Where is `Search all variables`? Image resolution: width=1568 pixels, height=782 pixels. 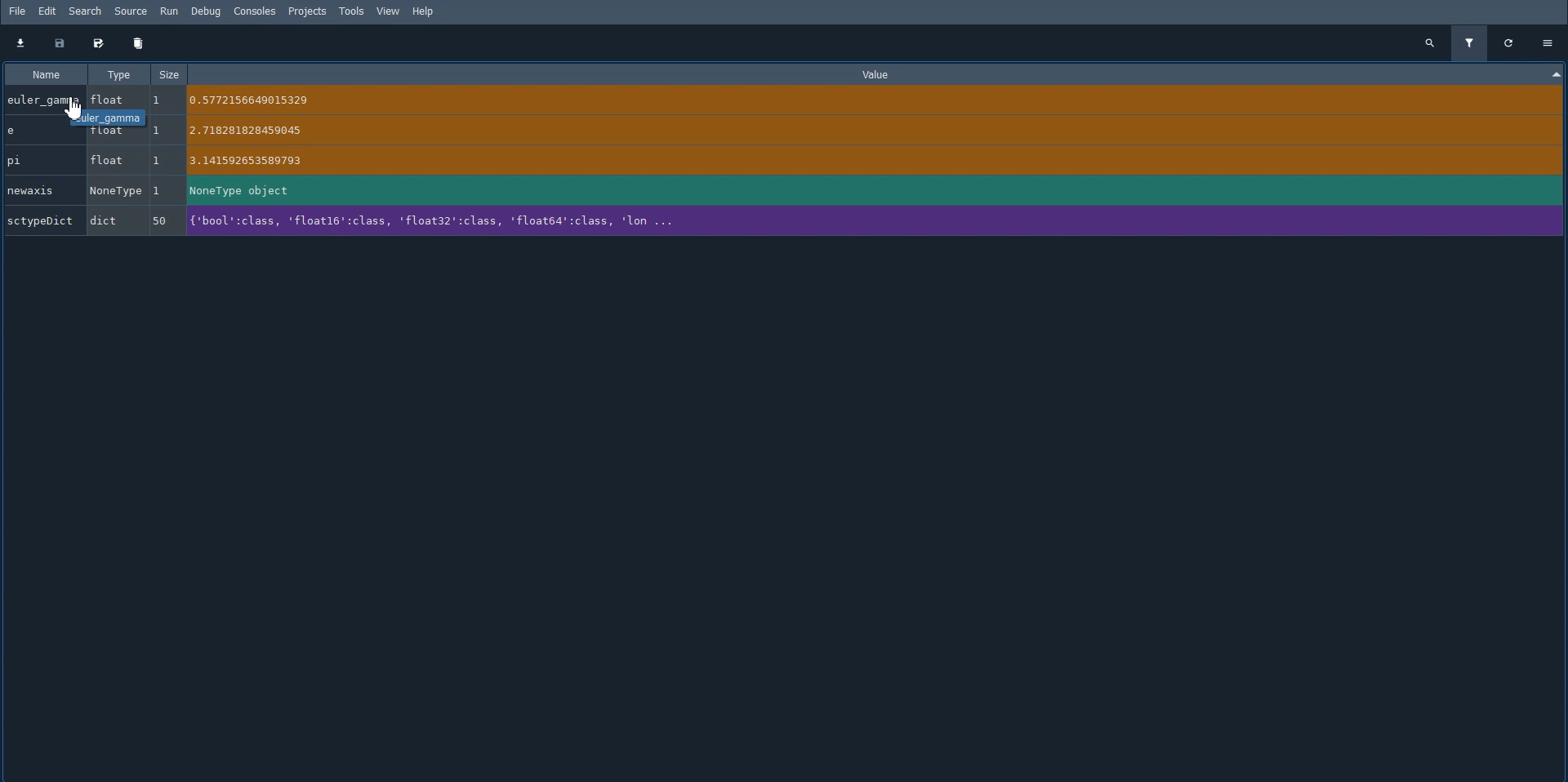 Search all variables is located at coordinates (1430, 42).